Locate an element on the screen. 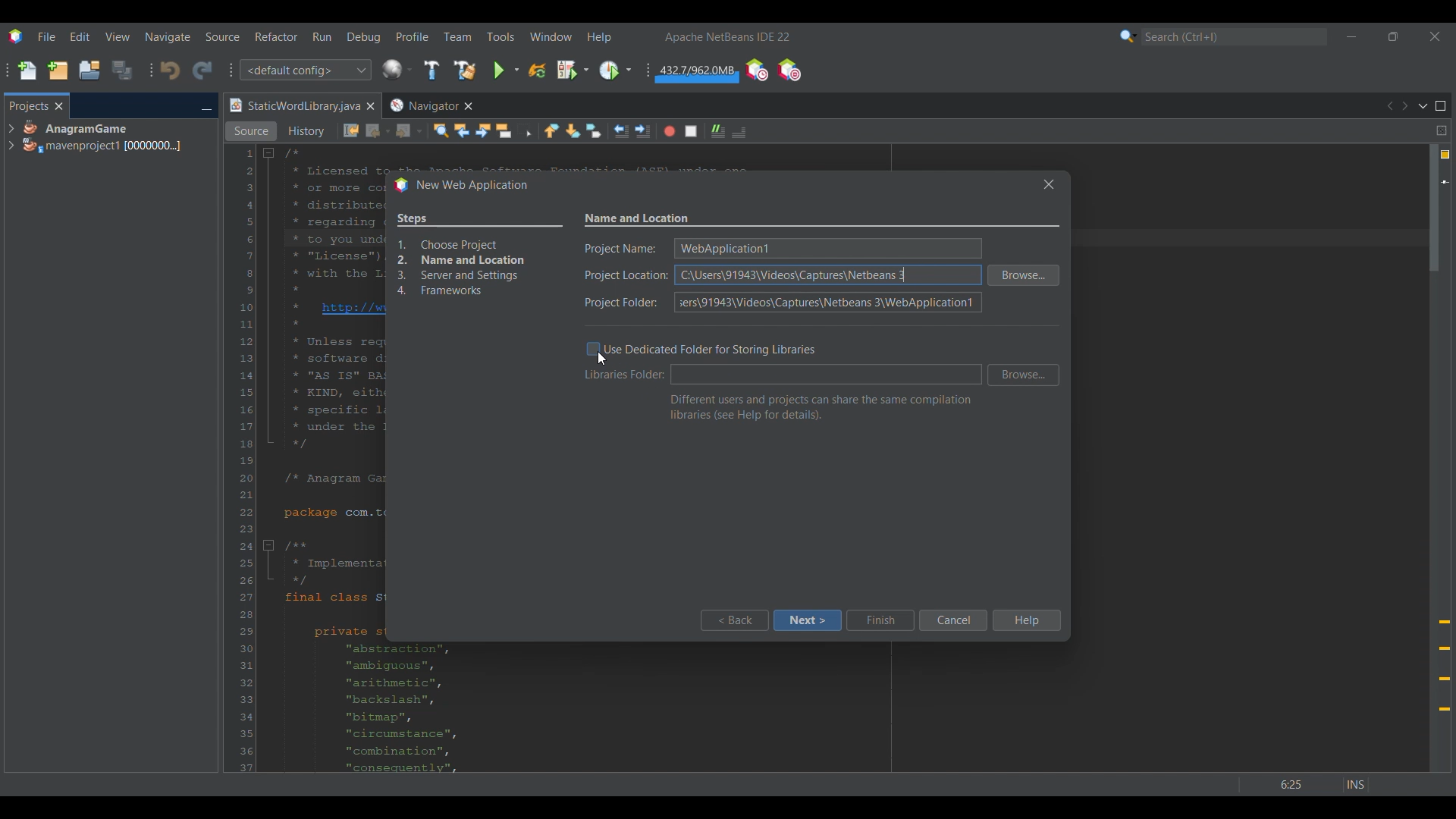  Tools menu is located at coordinates (500, 36).